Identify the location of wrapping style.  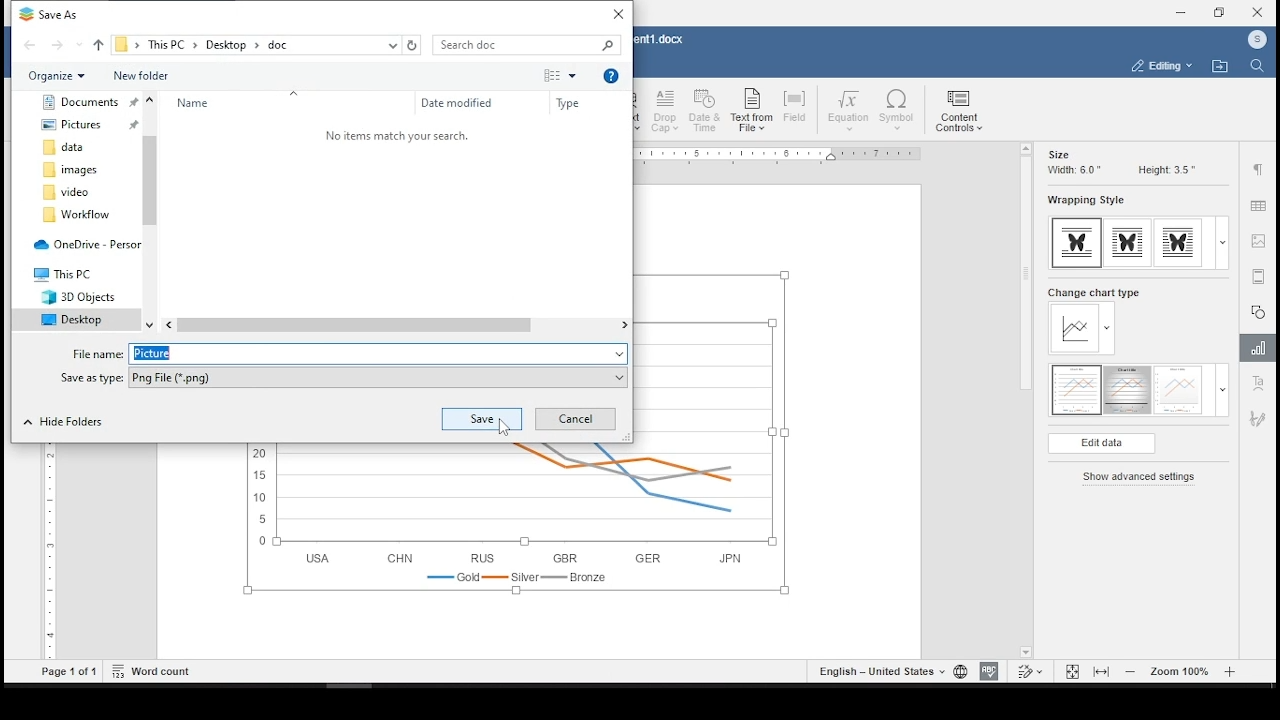
(1128, 244).